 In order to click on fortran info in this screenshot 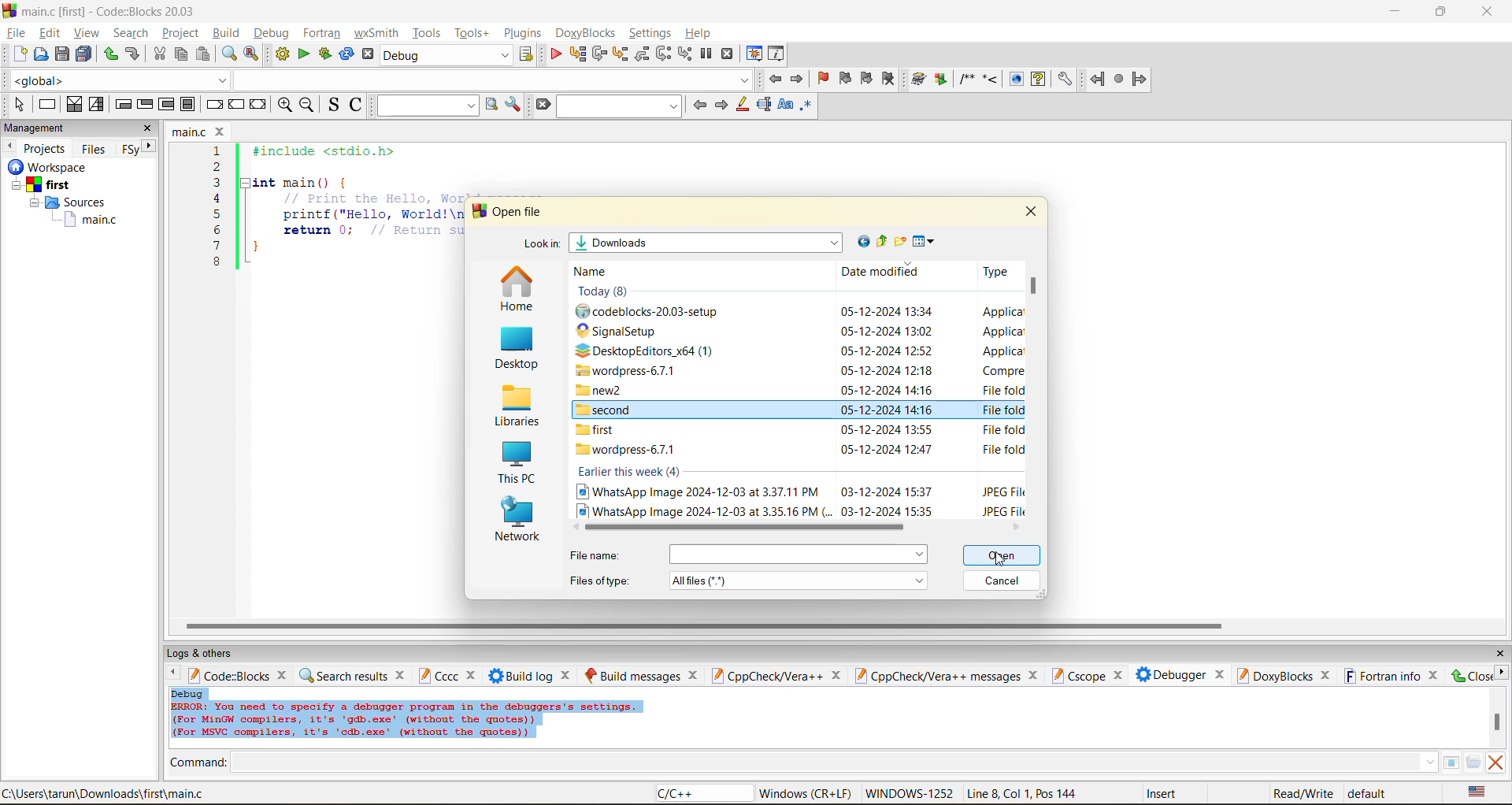, I will do `click(1383, 676)`.